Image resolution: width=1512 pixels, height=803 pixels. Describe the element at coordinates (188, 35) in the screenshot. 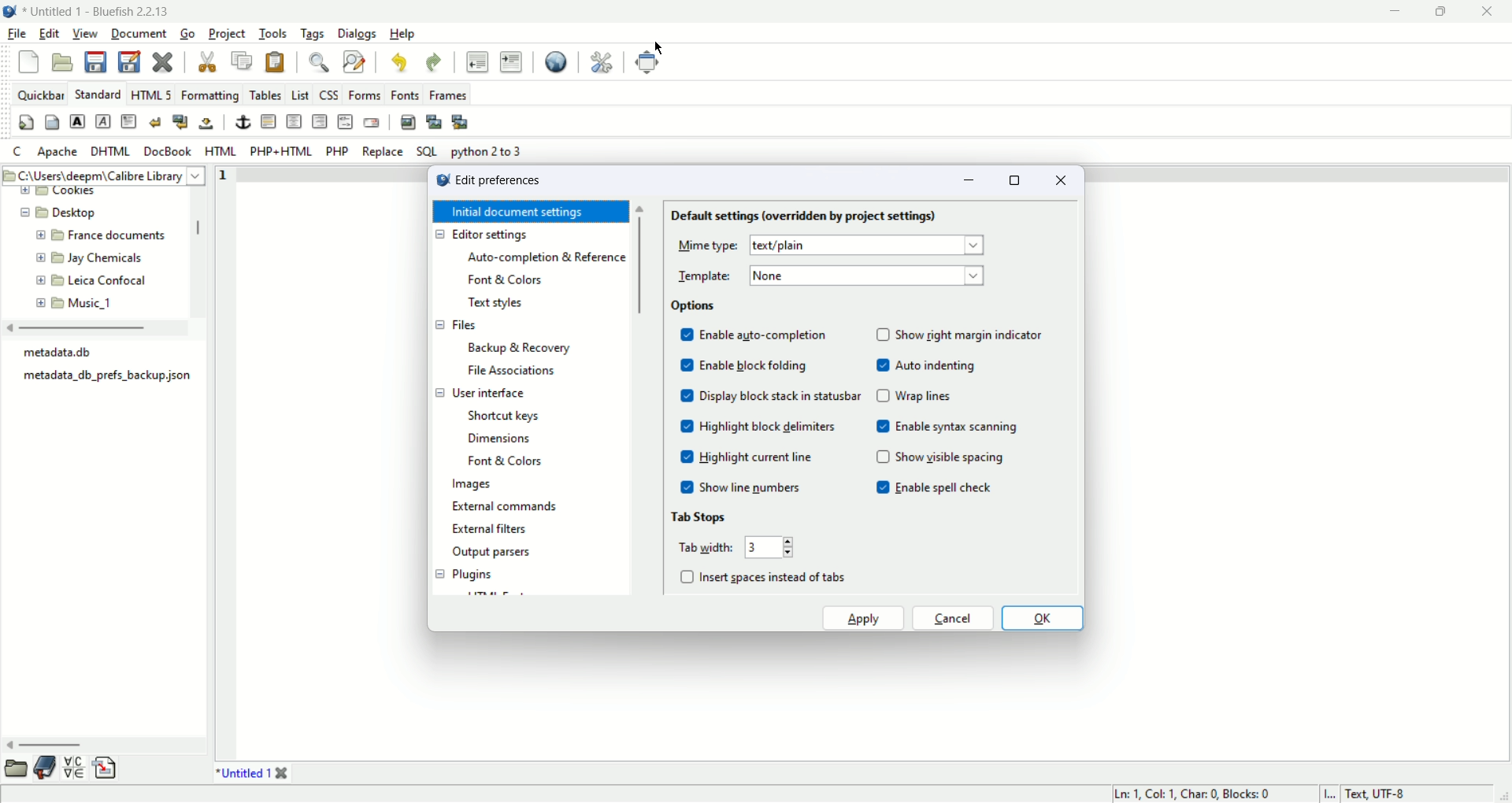

I see `go` at that location.